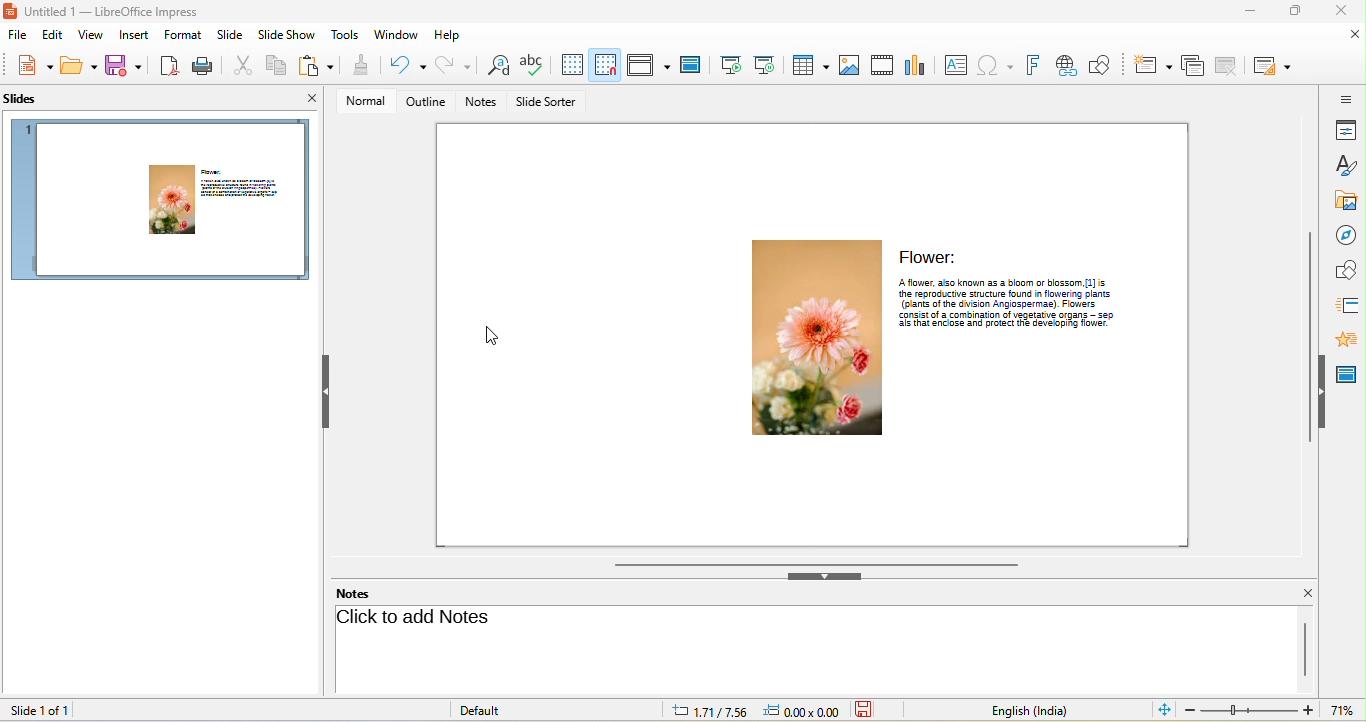 The width and height of the screenshot is (1366, 722). Describe the element at coordinates (1301, 594) in the screenshot. I see `close` at that location.